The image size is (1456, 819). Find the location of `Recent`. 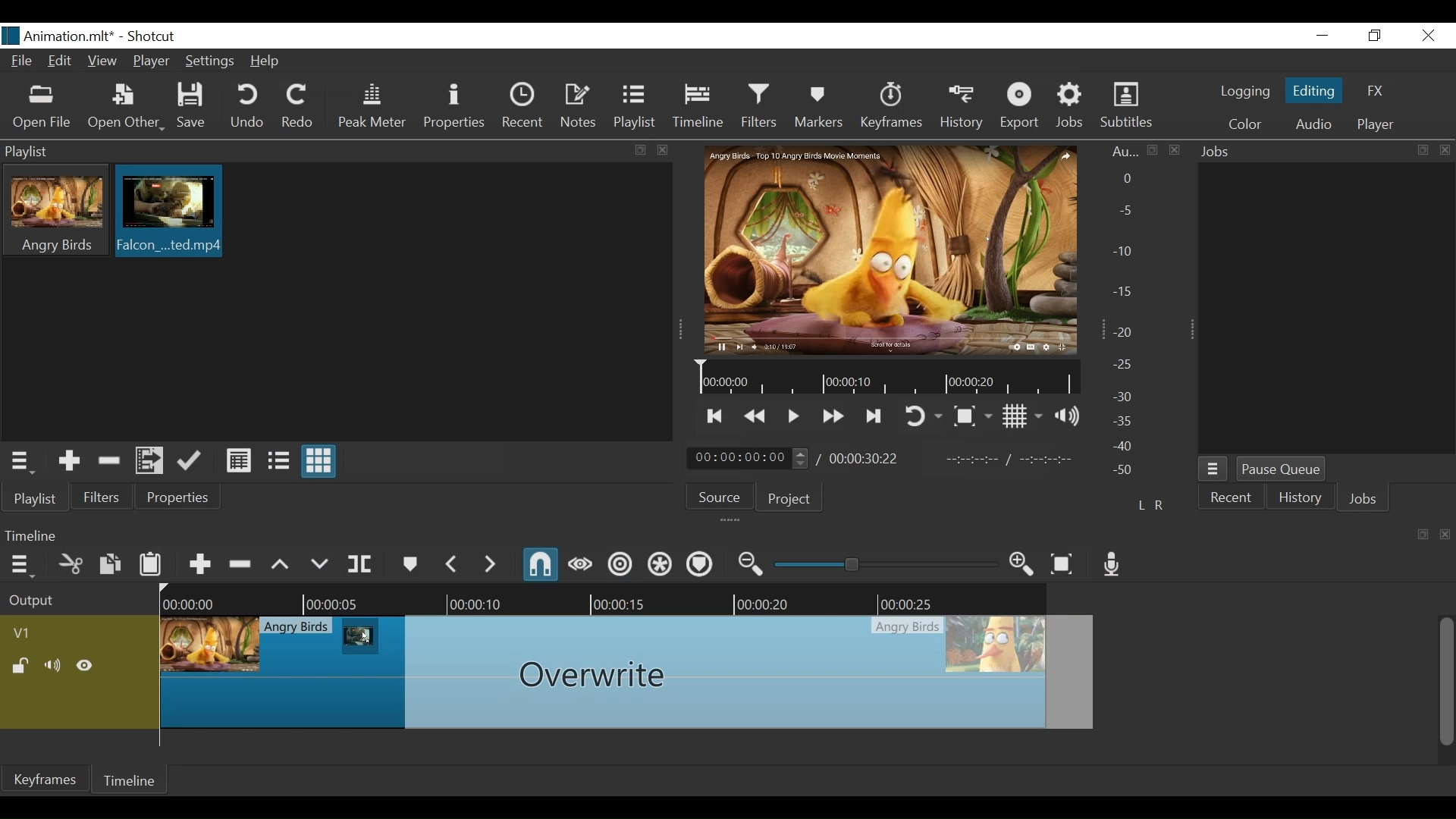

Recent is located at coordinates (522, 105).